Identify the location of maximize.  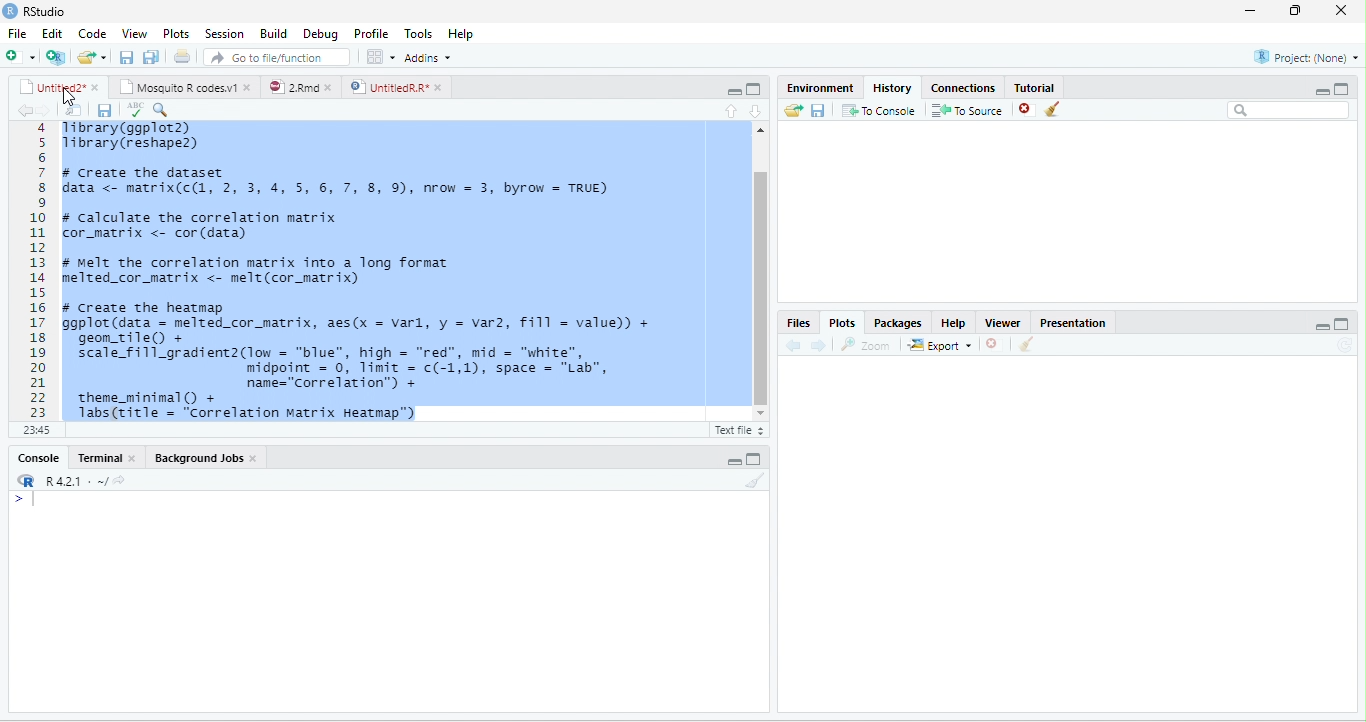
(753, 89).